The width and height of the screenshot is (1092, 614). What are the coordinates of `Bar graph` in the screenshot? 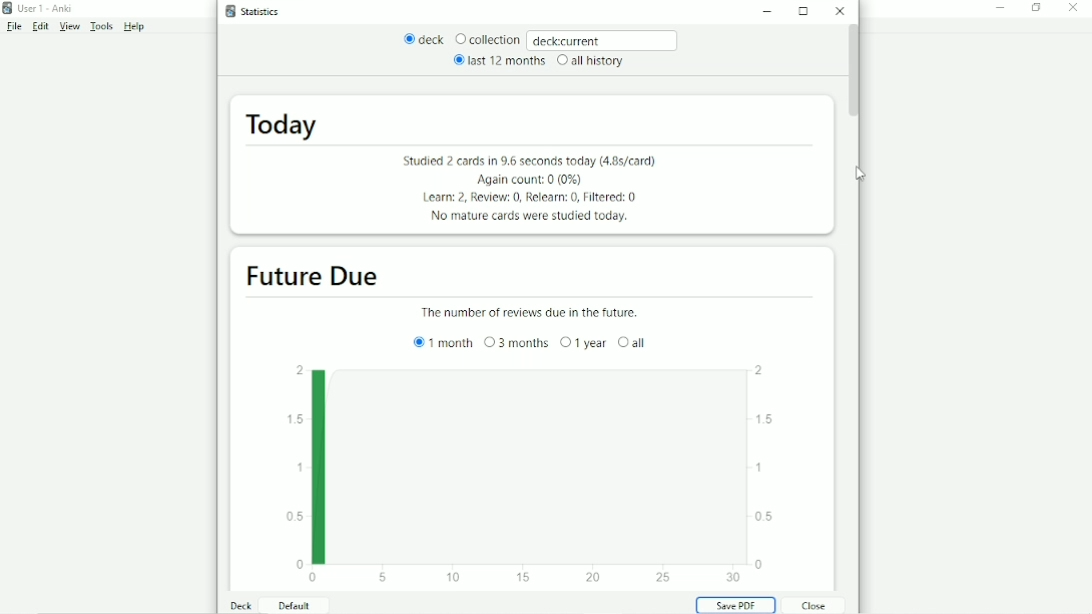 It's located at (532, 472).